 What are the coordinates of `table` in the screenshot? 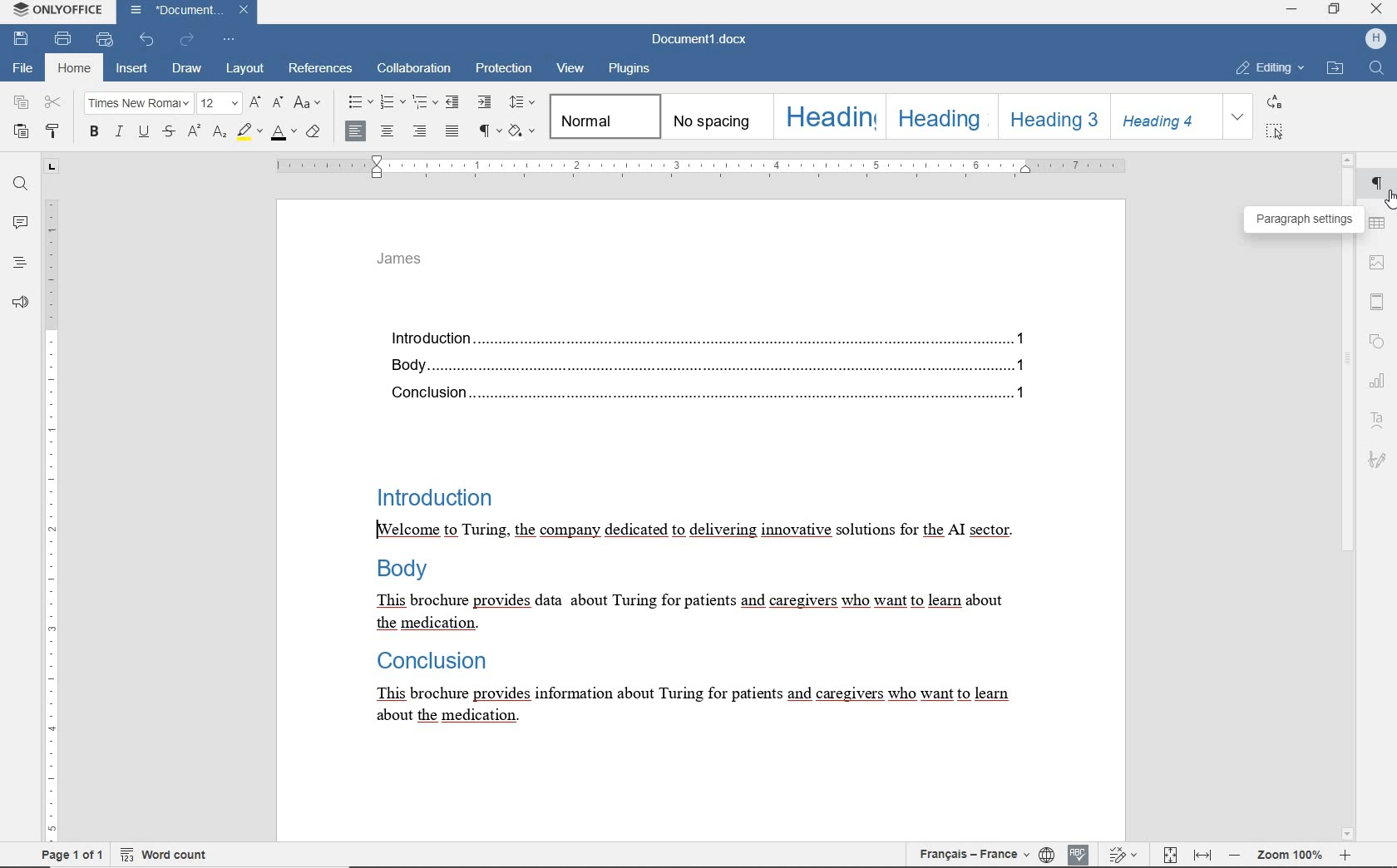 It's located at (1378, 223).